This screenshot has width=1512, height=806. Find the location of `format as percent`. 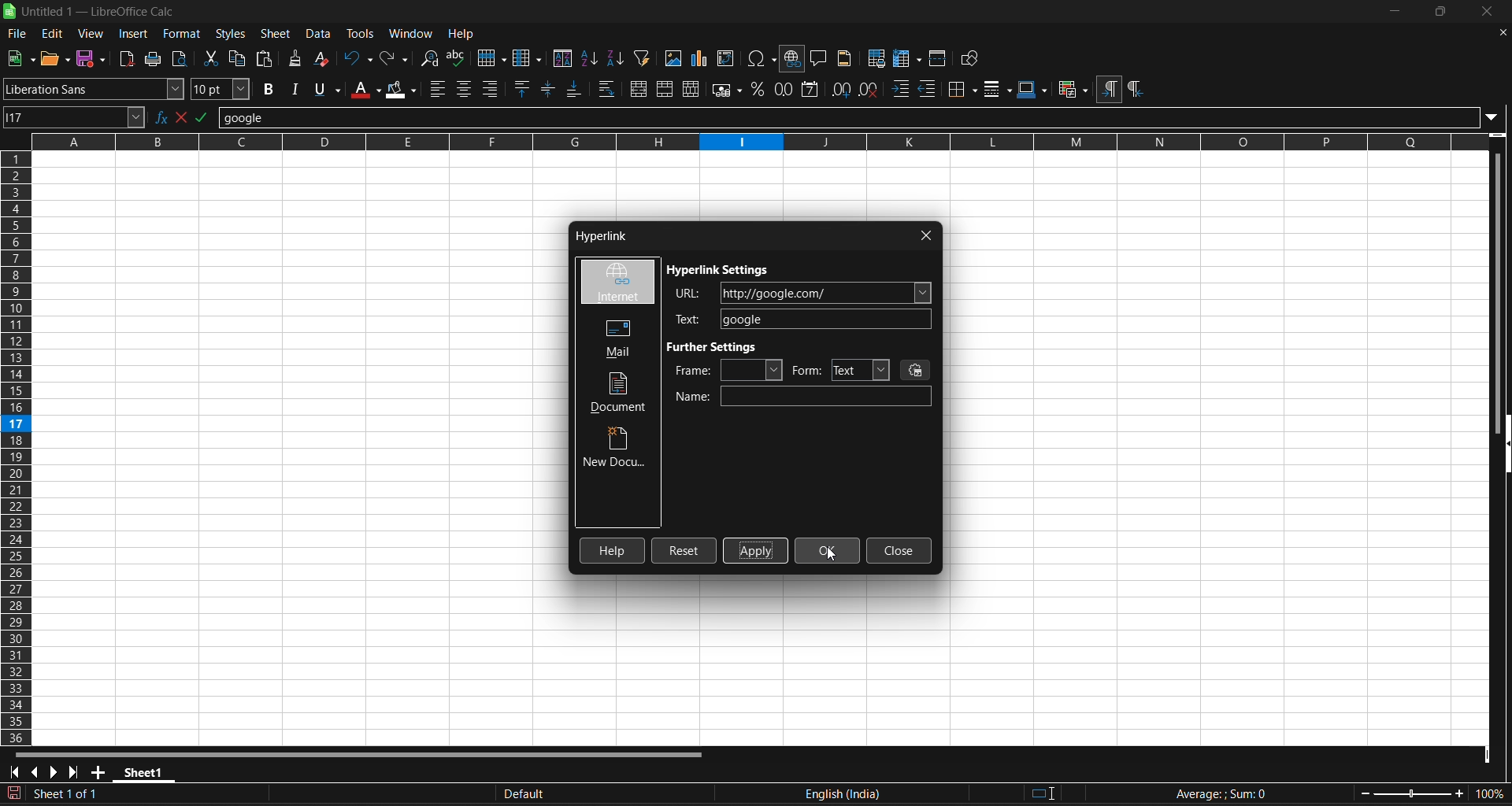

format as percent is located at coordinates (757, 90).